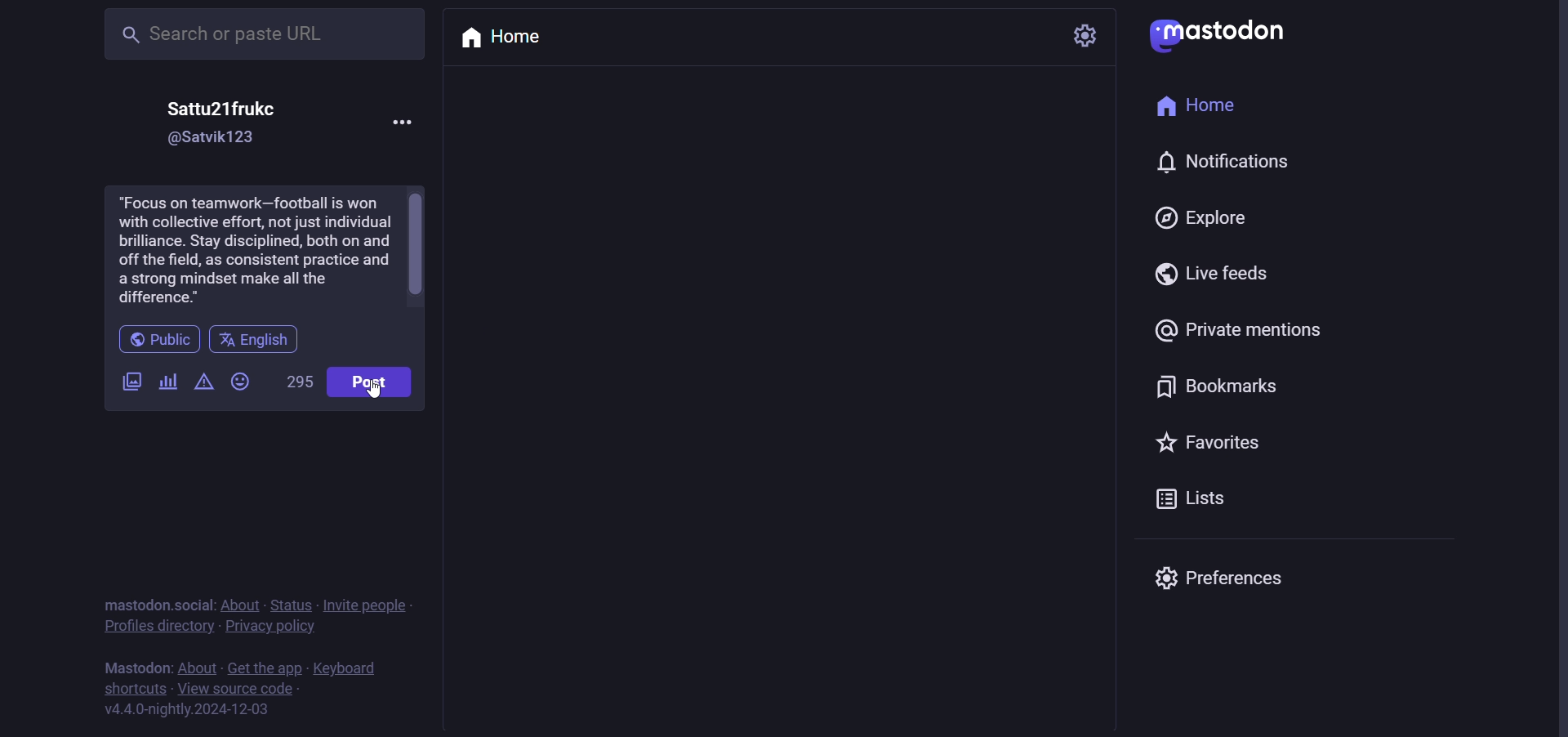  What do you see at coordinates (1225, 157) in the screenshot?
I see `notification` at bounding box center [1225, 157].